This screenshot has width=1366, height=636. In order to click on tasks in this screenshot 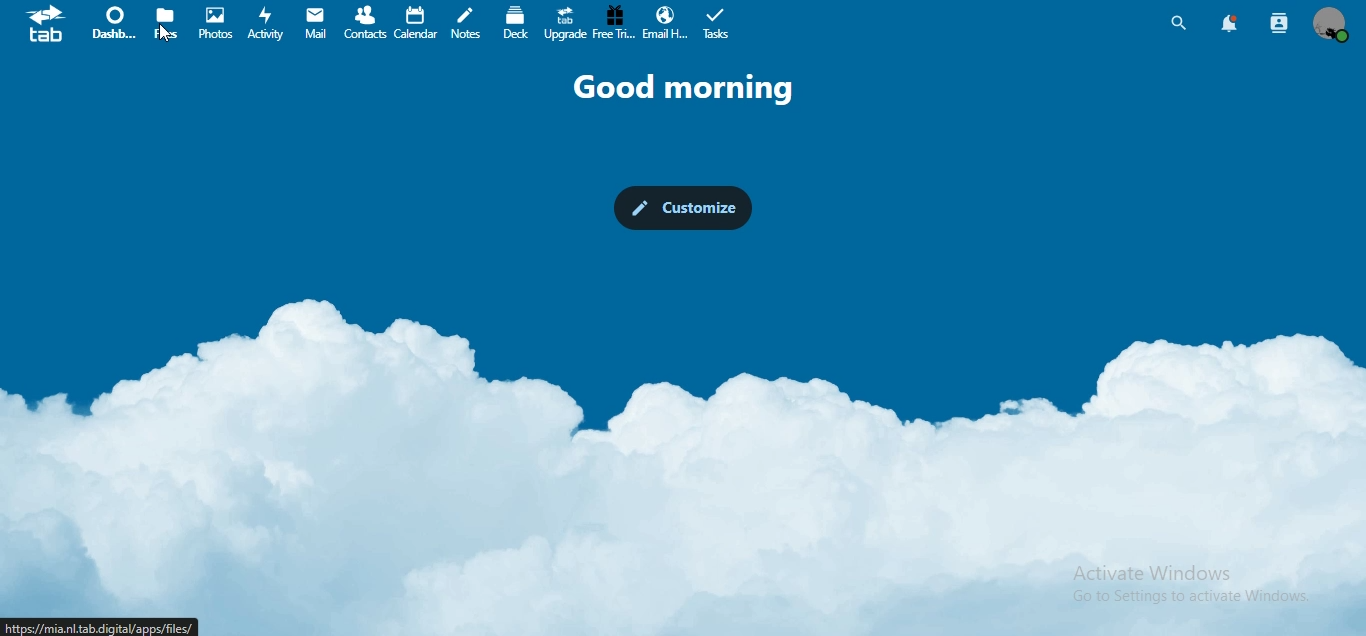, I will do `click(719, 25)`.